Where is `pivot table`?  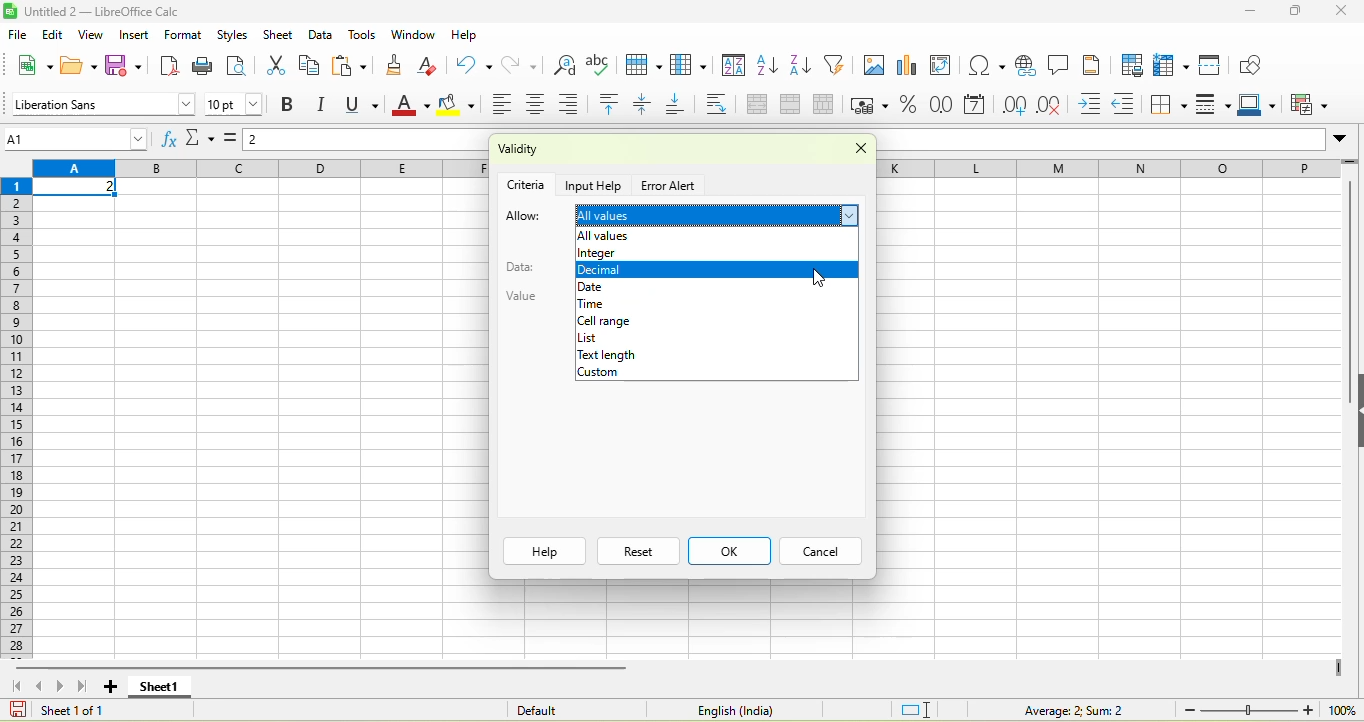 pivot table is located at coordinates (946, 67).